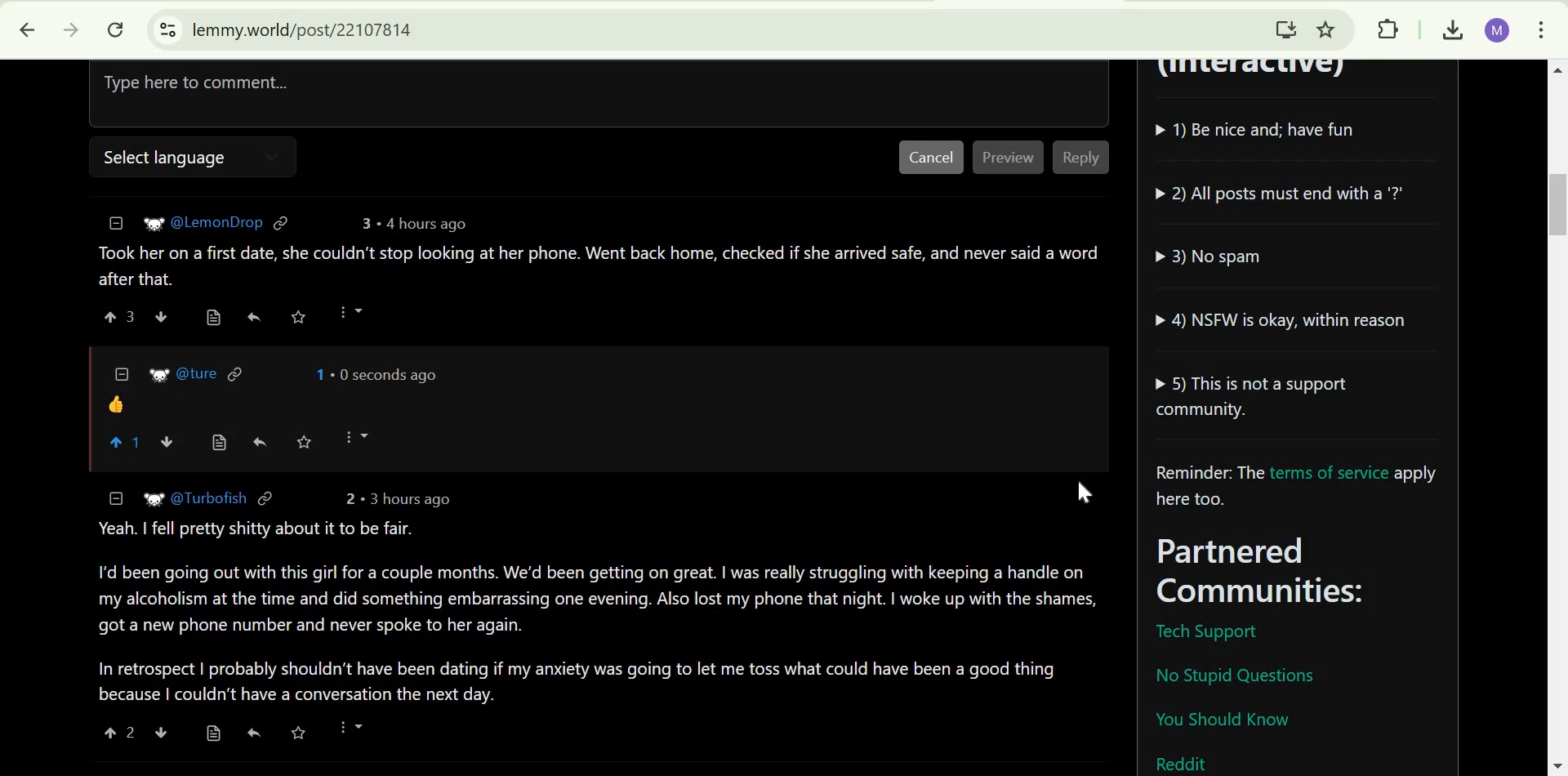 The width and height of the screenshot is (1568, 776). Describe the element at coordinates (19, 30) in the screenshot. I see `Click to go back, hold to see history` at that location.